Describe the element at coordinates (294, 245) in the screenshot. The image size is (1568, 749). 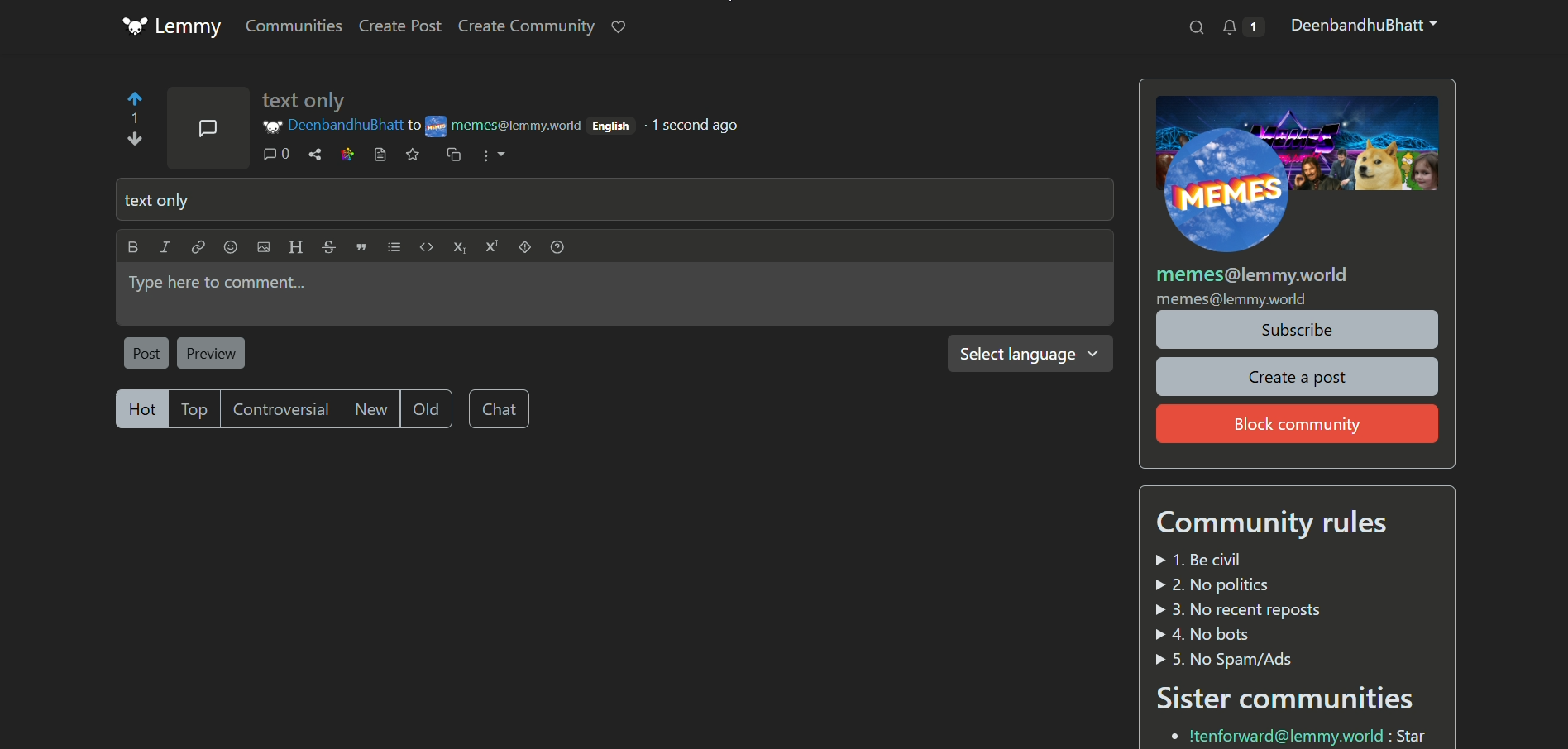
I see `header` at that location.